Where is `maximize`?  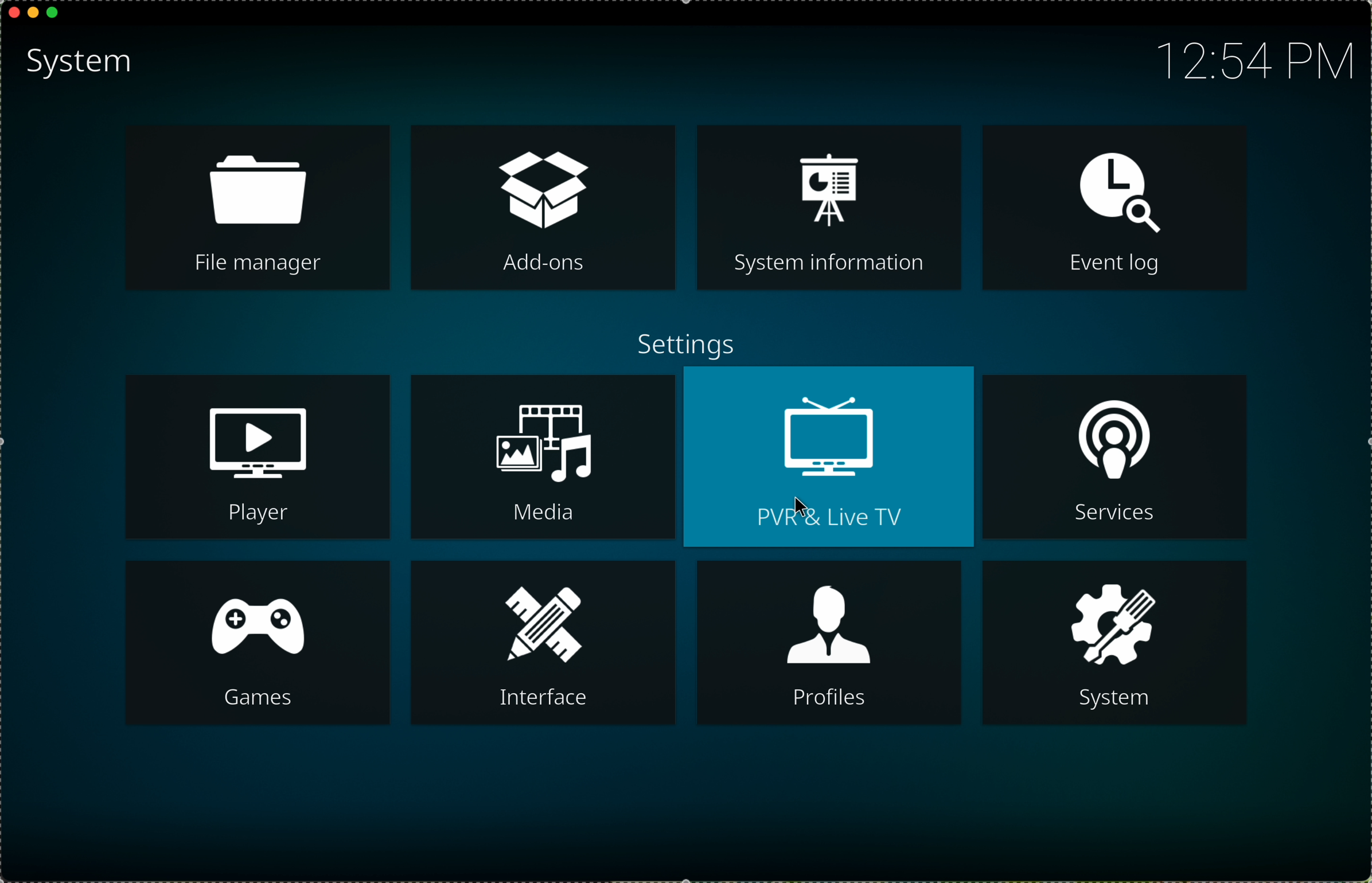
maximize is located at coordinates (53, 17).